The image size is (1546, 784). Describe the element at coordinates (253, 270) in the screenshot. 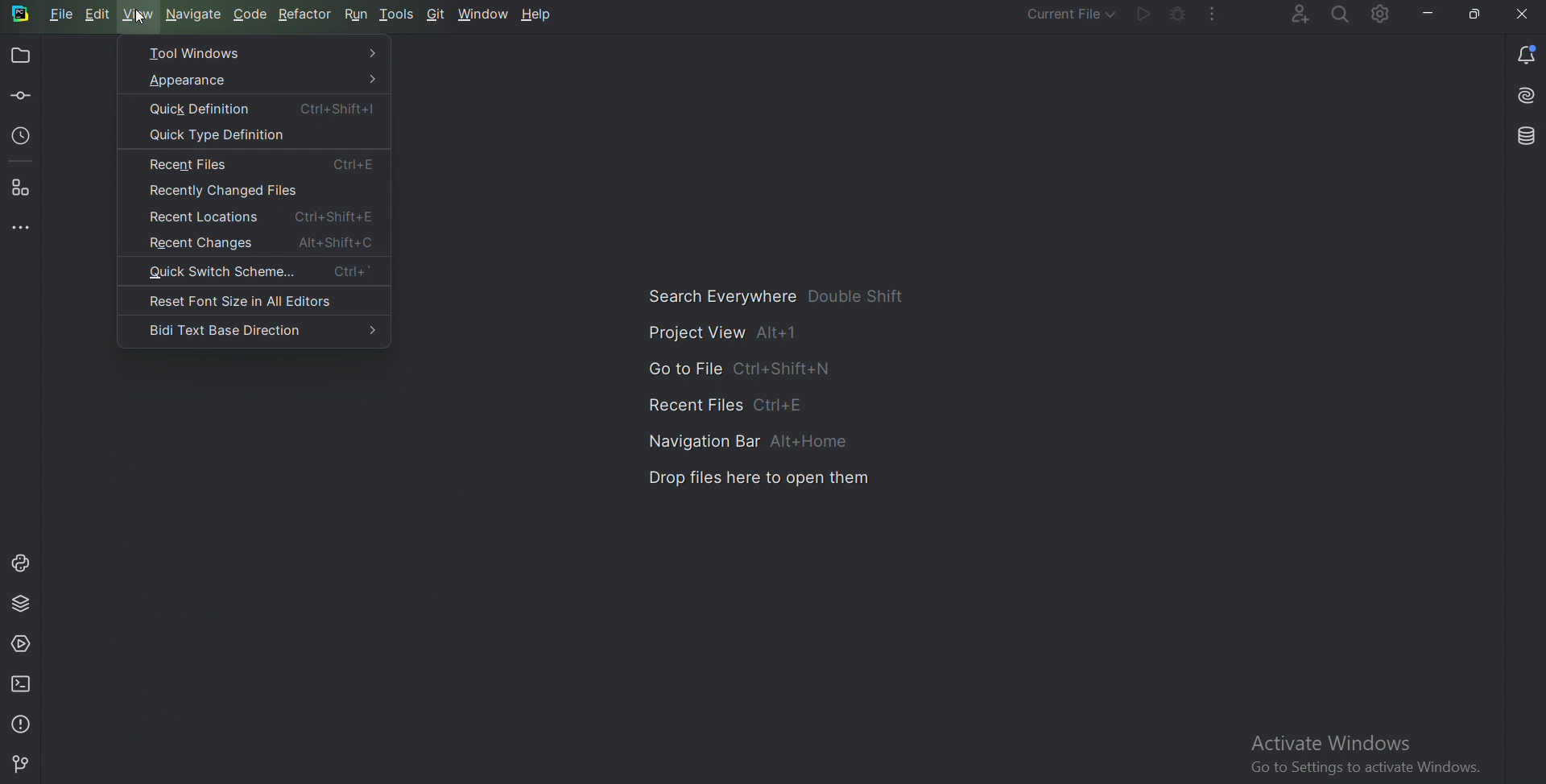

I see `Quick switch scheme` at that location.